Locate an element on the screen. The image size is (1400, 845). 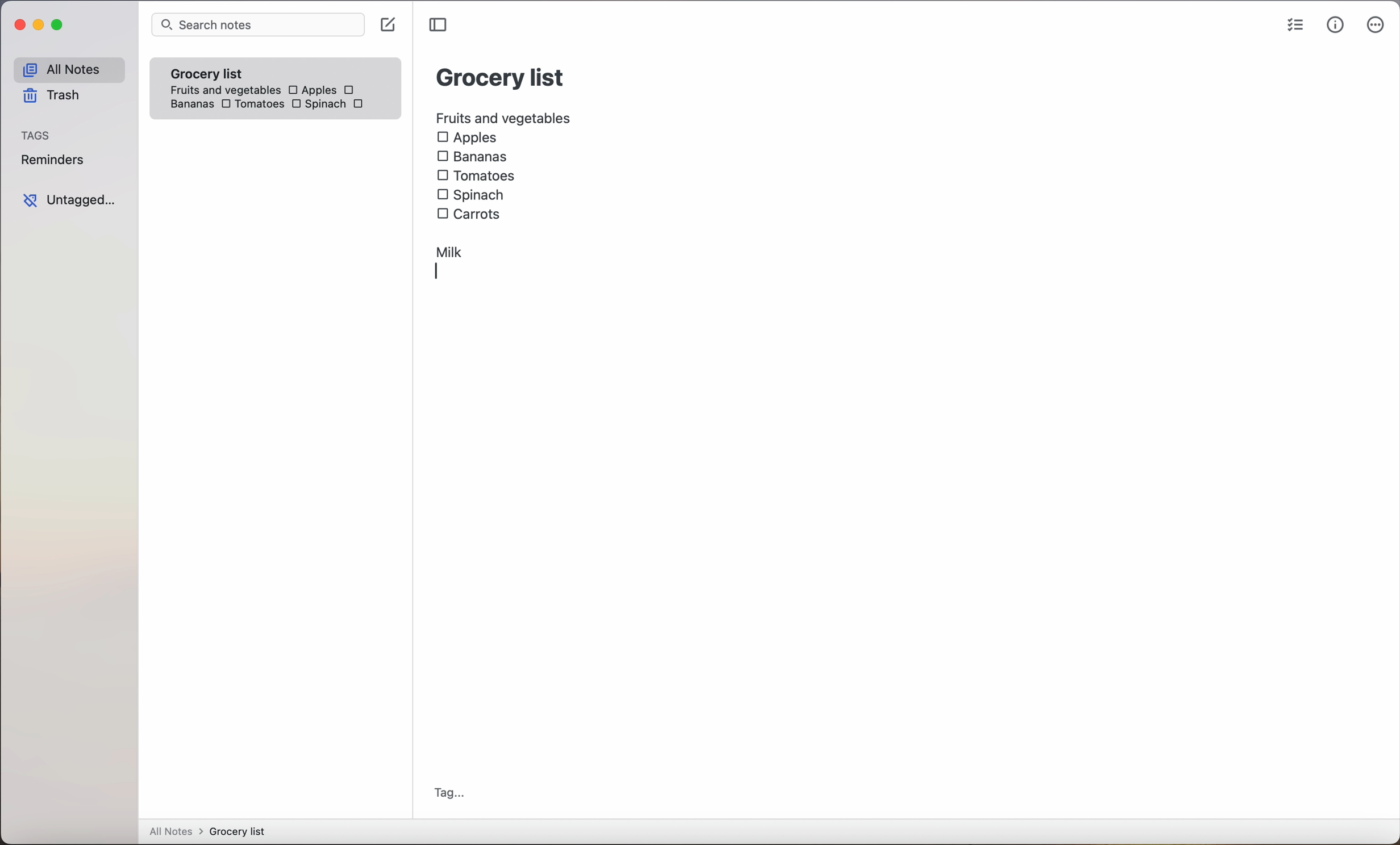
toggle sidebar is located at coordinates (440, 25).